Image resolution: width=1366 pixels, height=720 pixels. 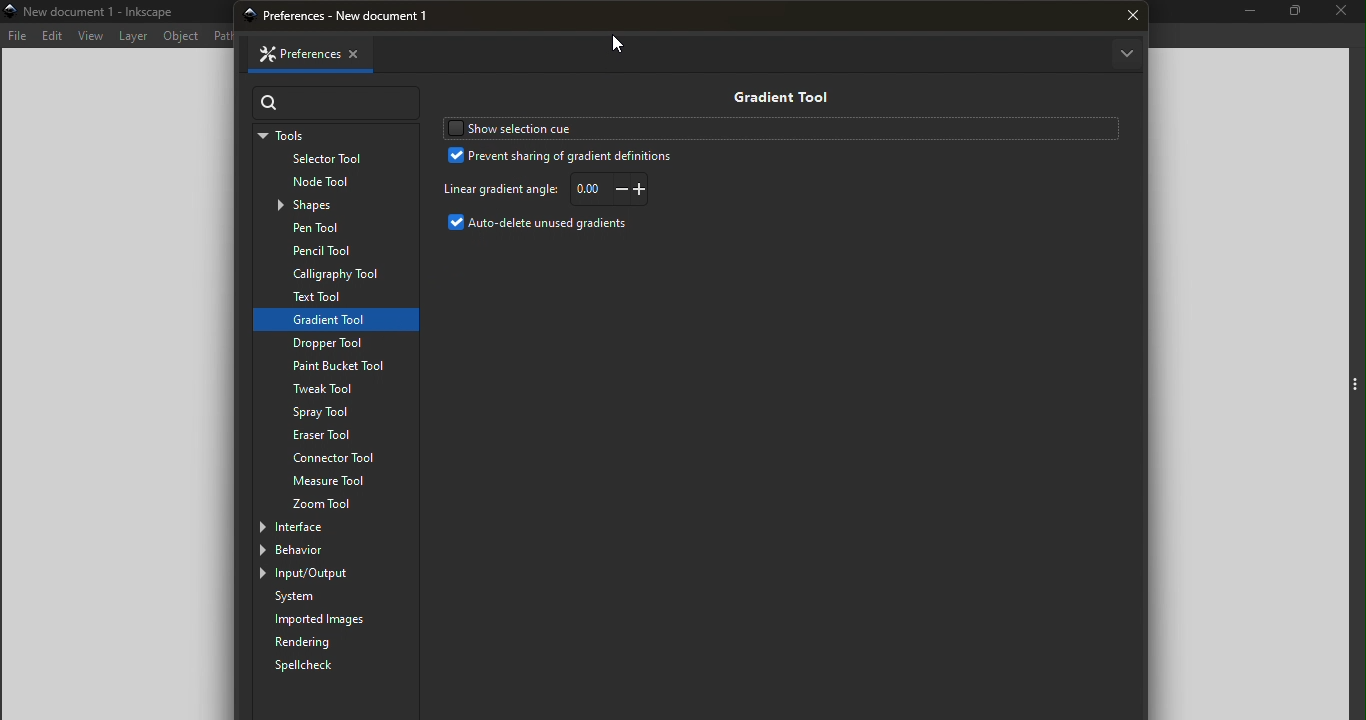 I want to click on Toggle command panel, so click(x=1355, y=386).